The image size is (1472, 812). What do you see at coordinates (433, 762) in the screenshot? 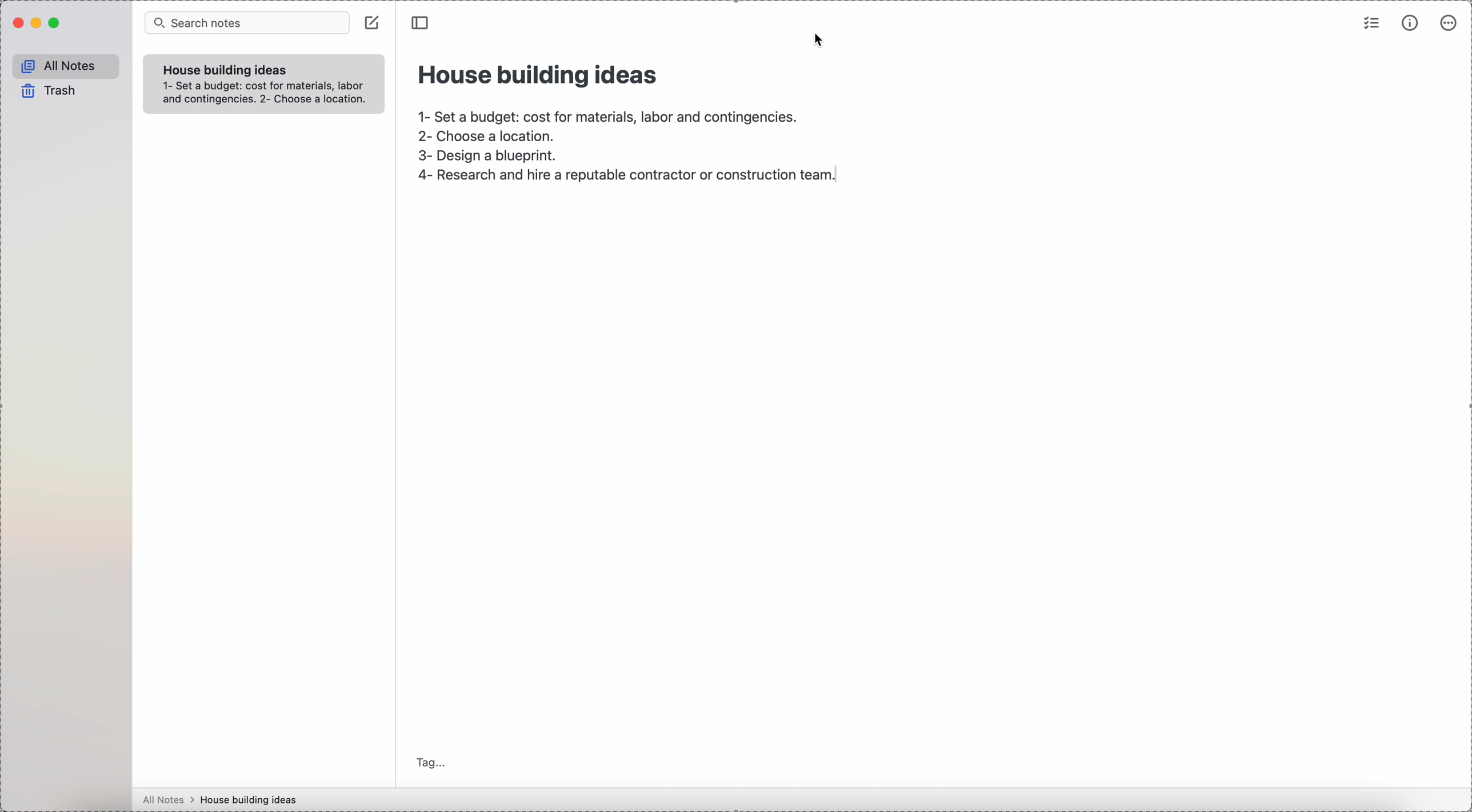
I see `tag` at bounding box center [433, 762].